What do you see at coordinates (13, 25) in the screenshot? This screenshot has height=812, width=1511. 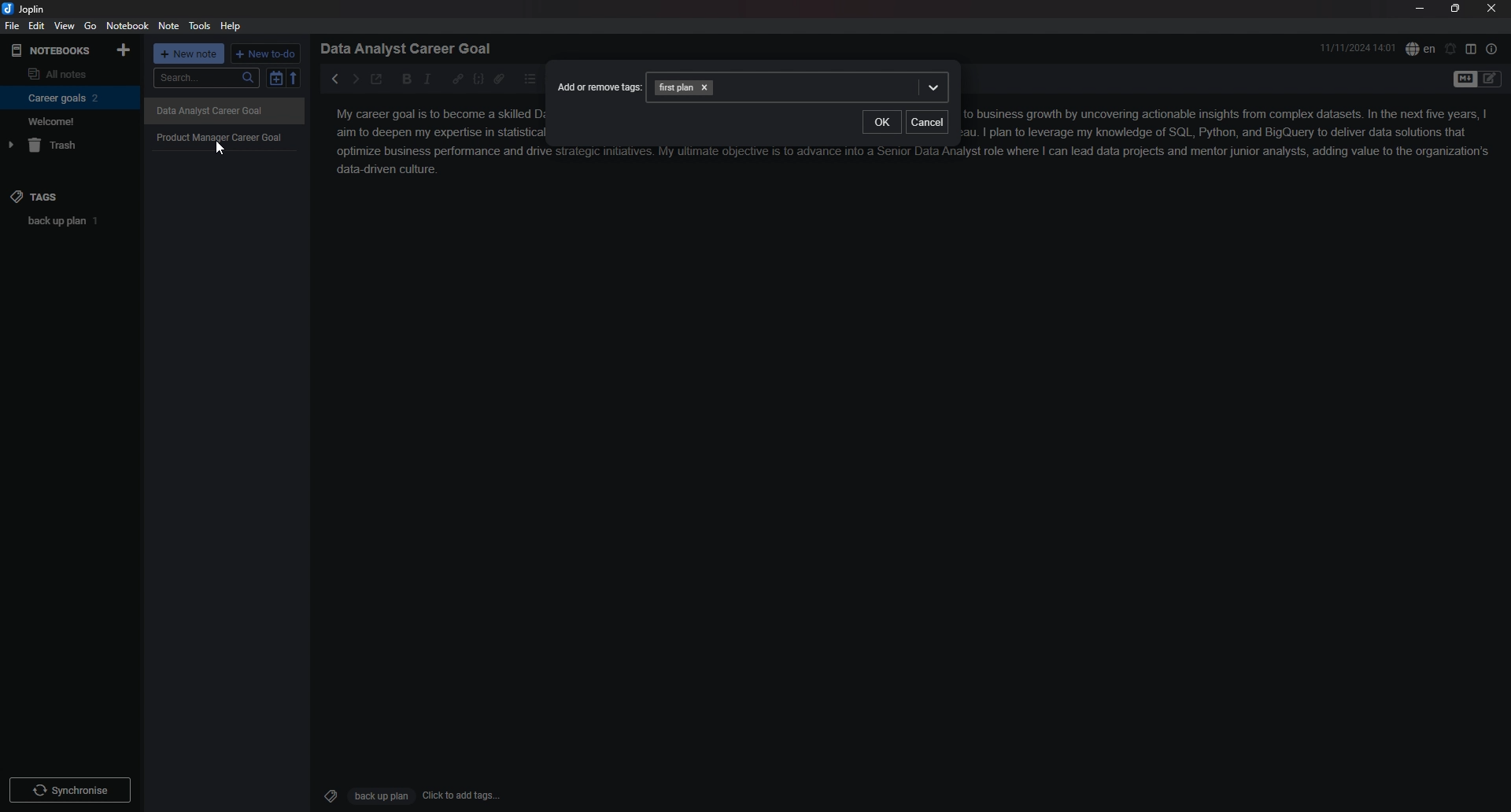 I see `file` at bounding box center [13, 25].